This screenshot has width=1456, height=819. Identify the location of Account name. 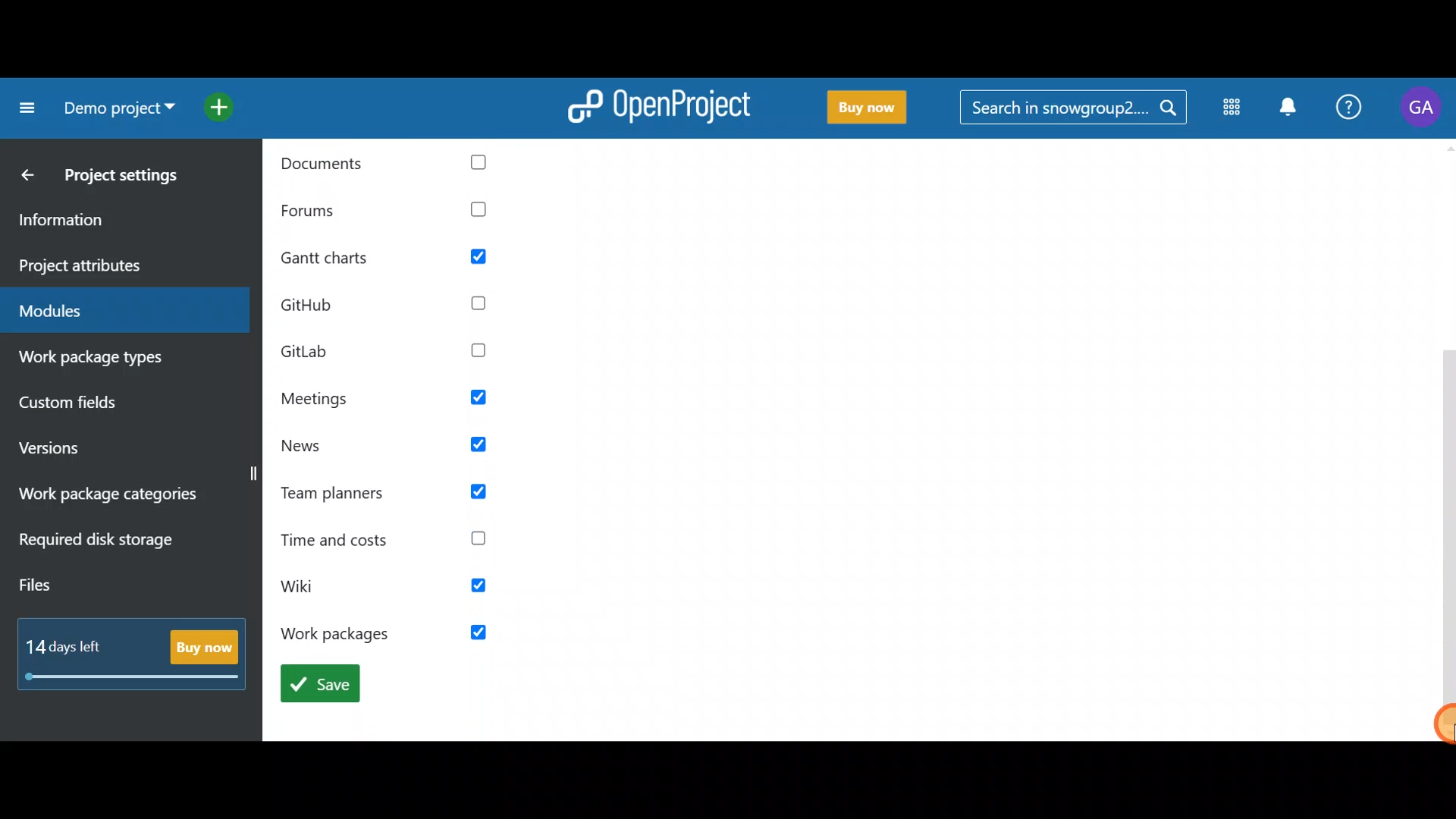
(1419, 111).